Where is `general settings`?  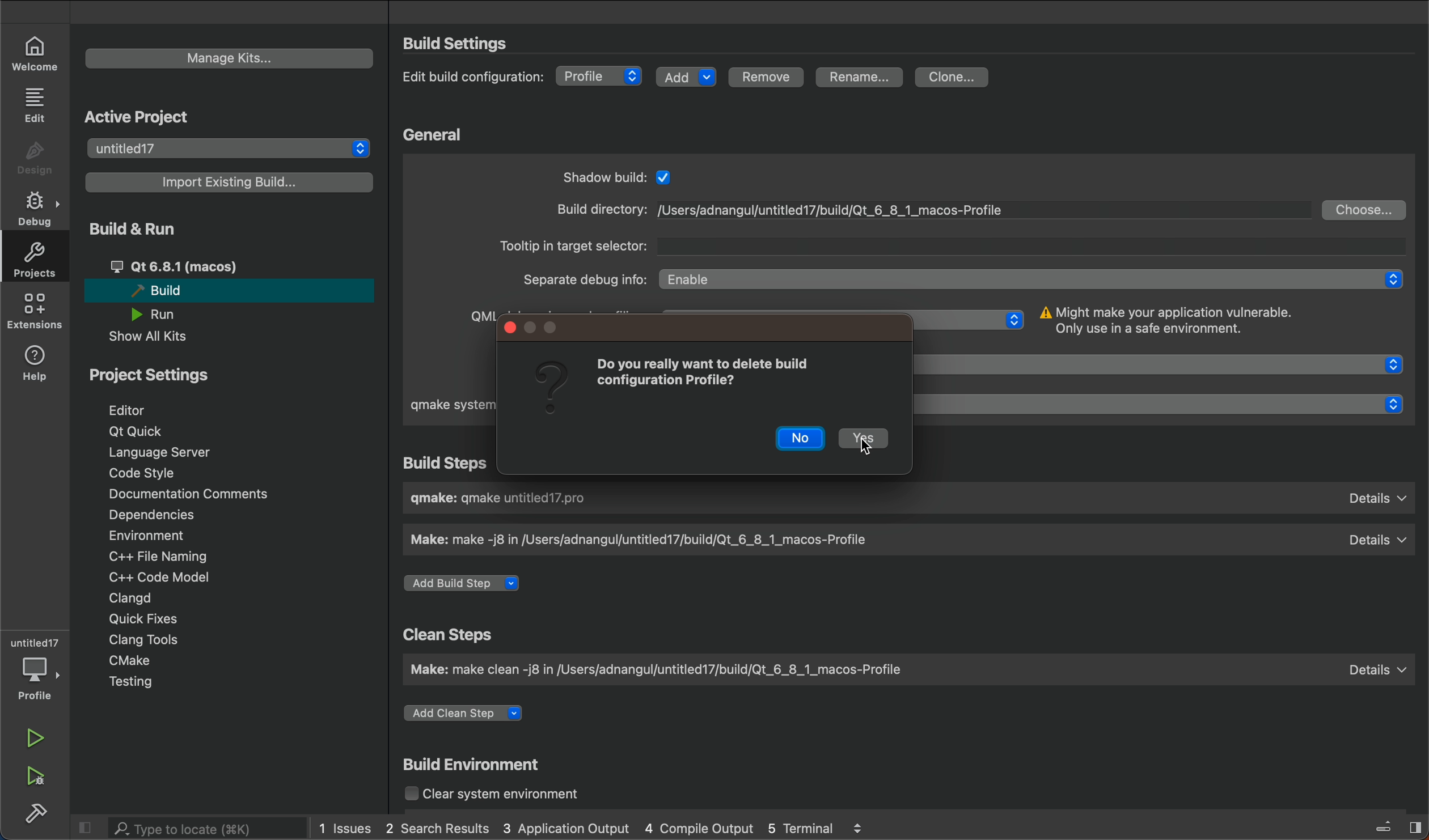 general settings is located at coordinates (619, 174).